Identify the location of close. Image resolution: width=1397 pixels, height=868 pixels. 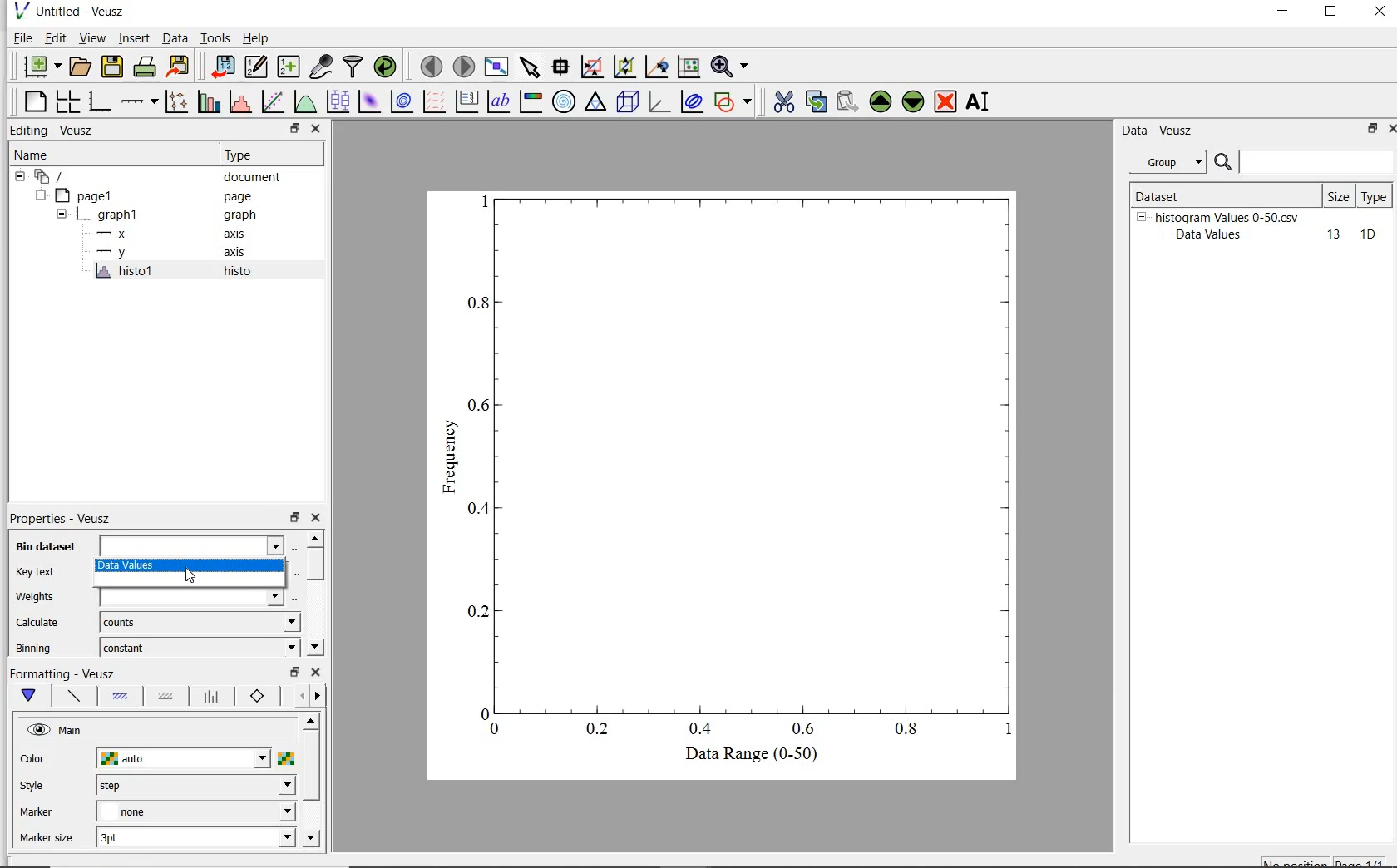
(318, 518).